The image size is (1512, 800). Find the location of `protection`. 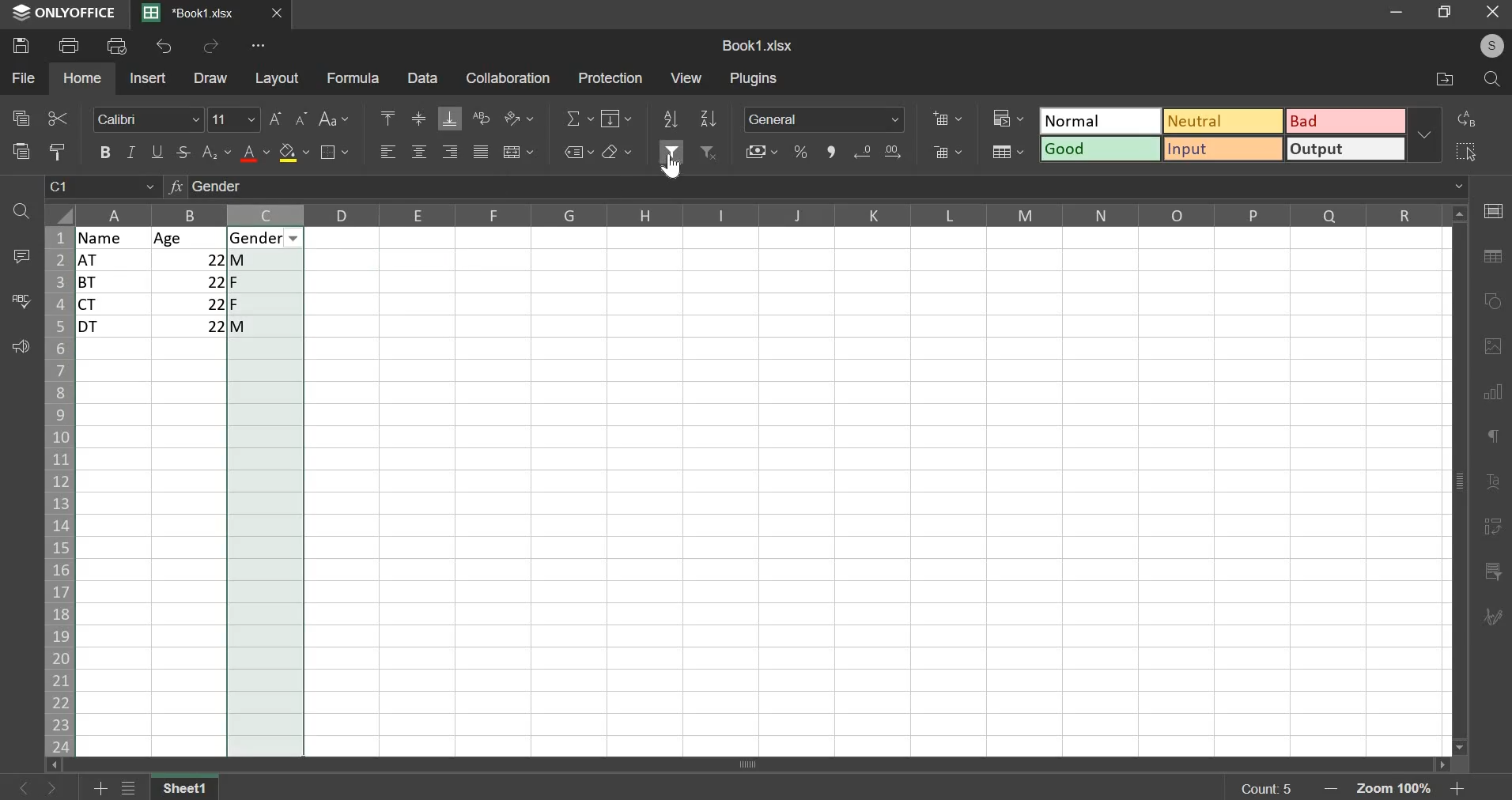

protection is located at coordinates (609, 77).